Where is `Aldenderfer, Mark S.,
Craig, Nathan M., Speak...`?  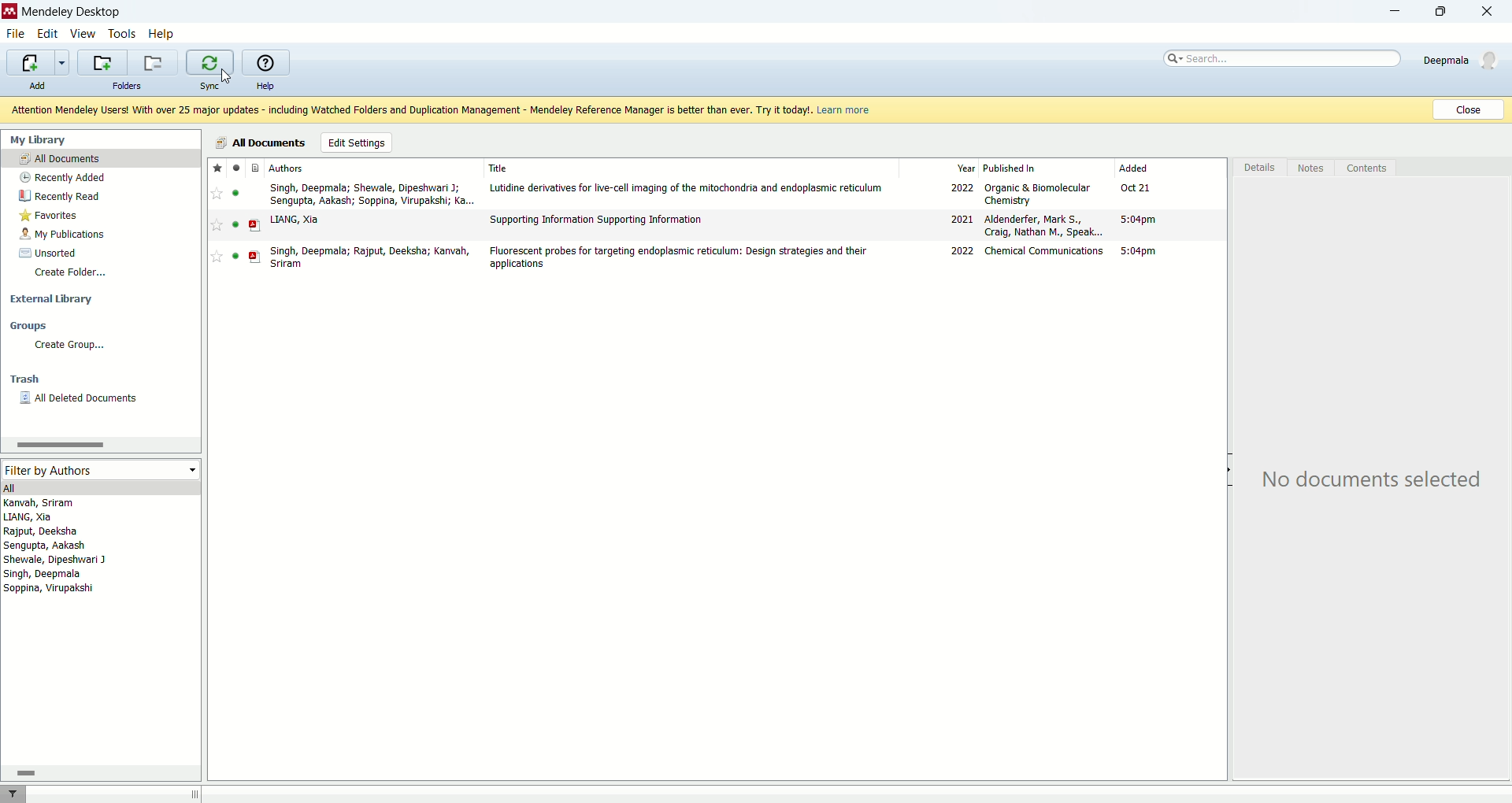 Aldenderfer, Mark S.,
Craig, Nathan M., Speak... is located at coordinates (1047, 225).